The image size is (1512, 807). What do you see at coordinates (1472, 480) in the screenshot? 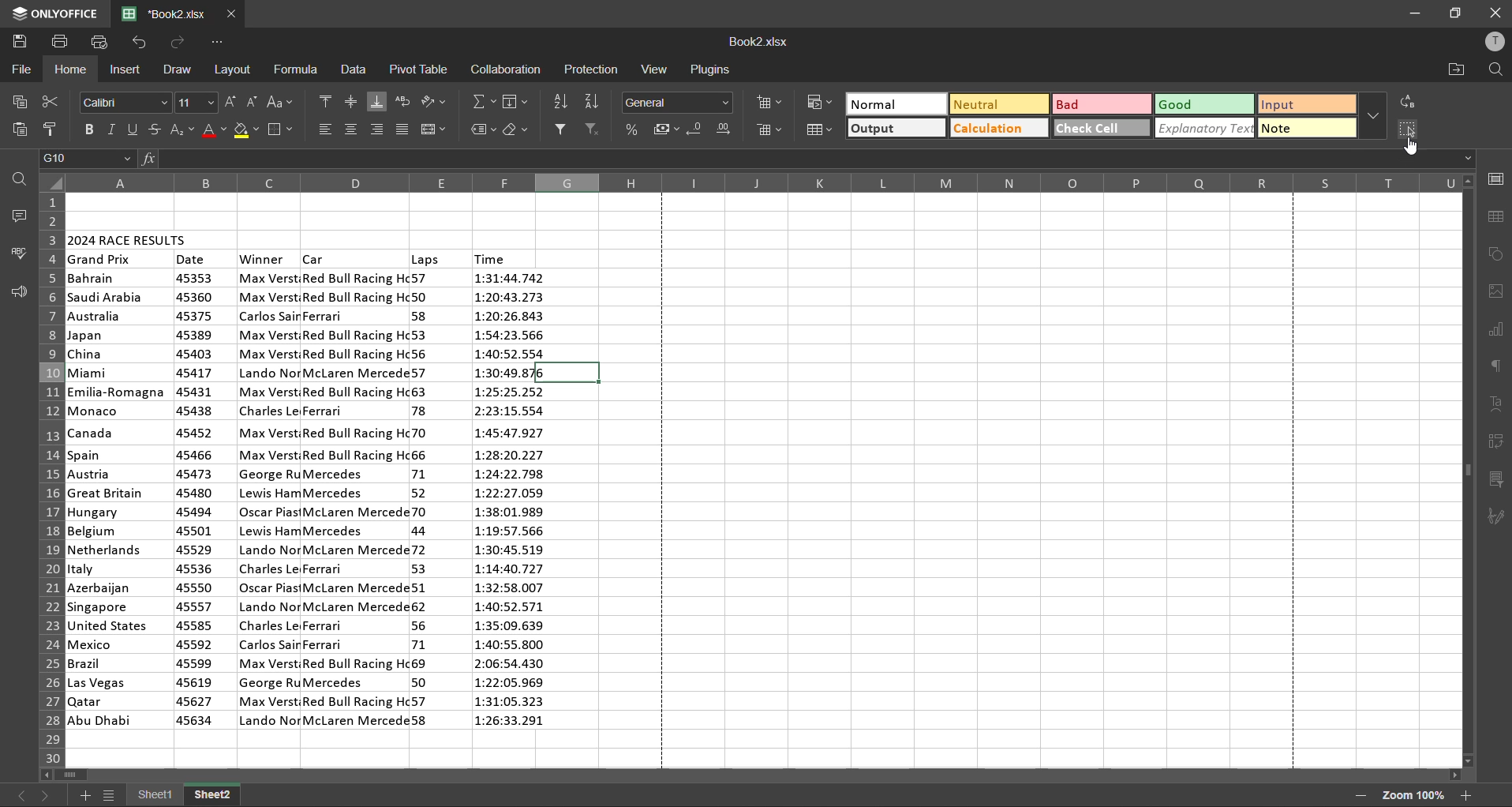
I see `scrollbar` at bounding box center [1472, 480].